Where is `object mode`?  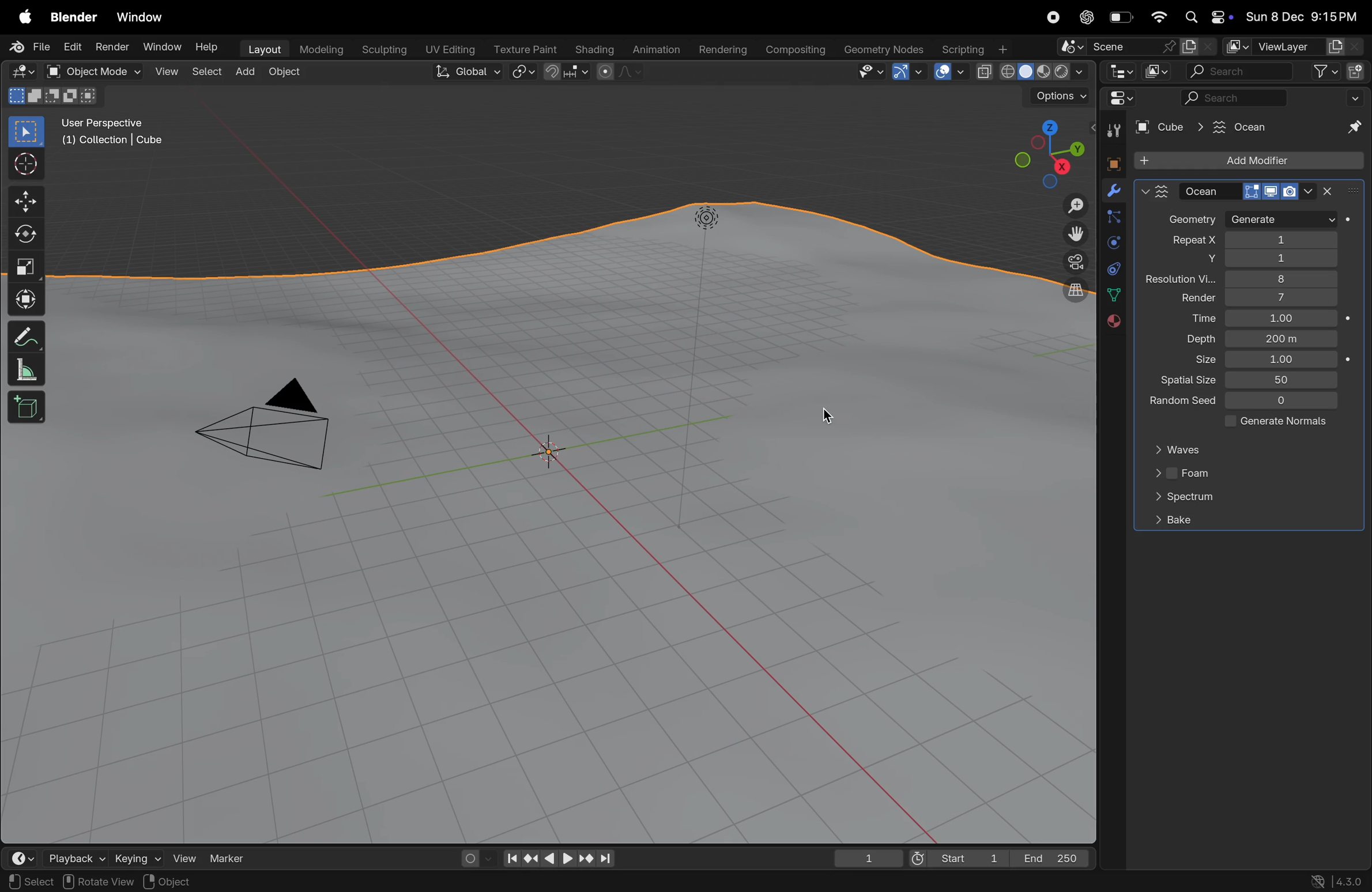 object mode is located at coordinates (105, 72).